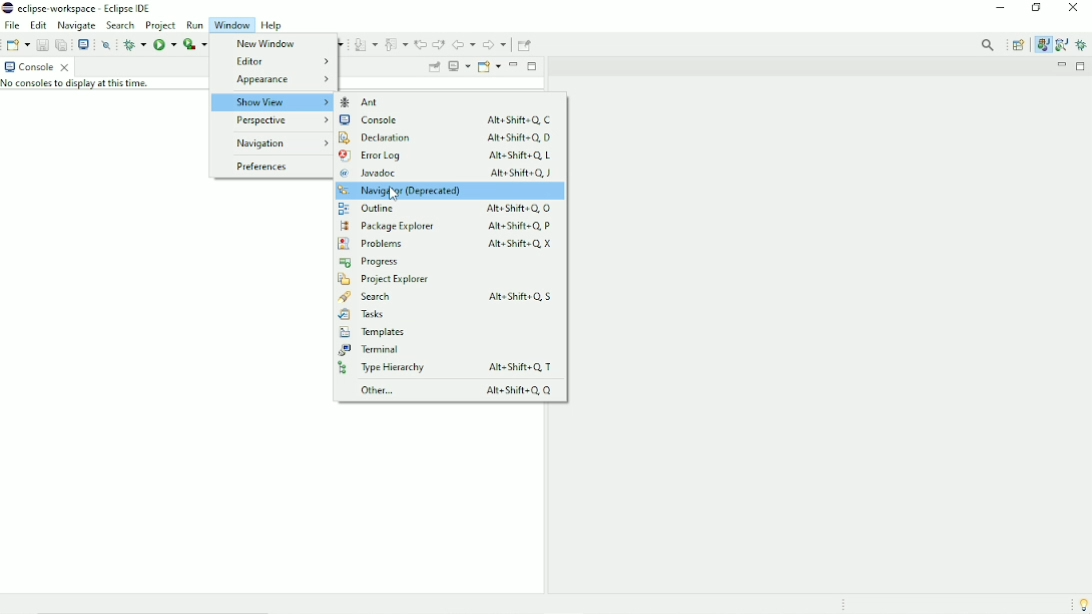 The width and height of the screenshot is (1092, 614). I want to click on Edit, so click(39, 24).